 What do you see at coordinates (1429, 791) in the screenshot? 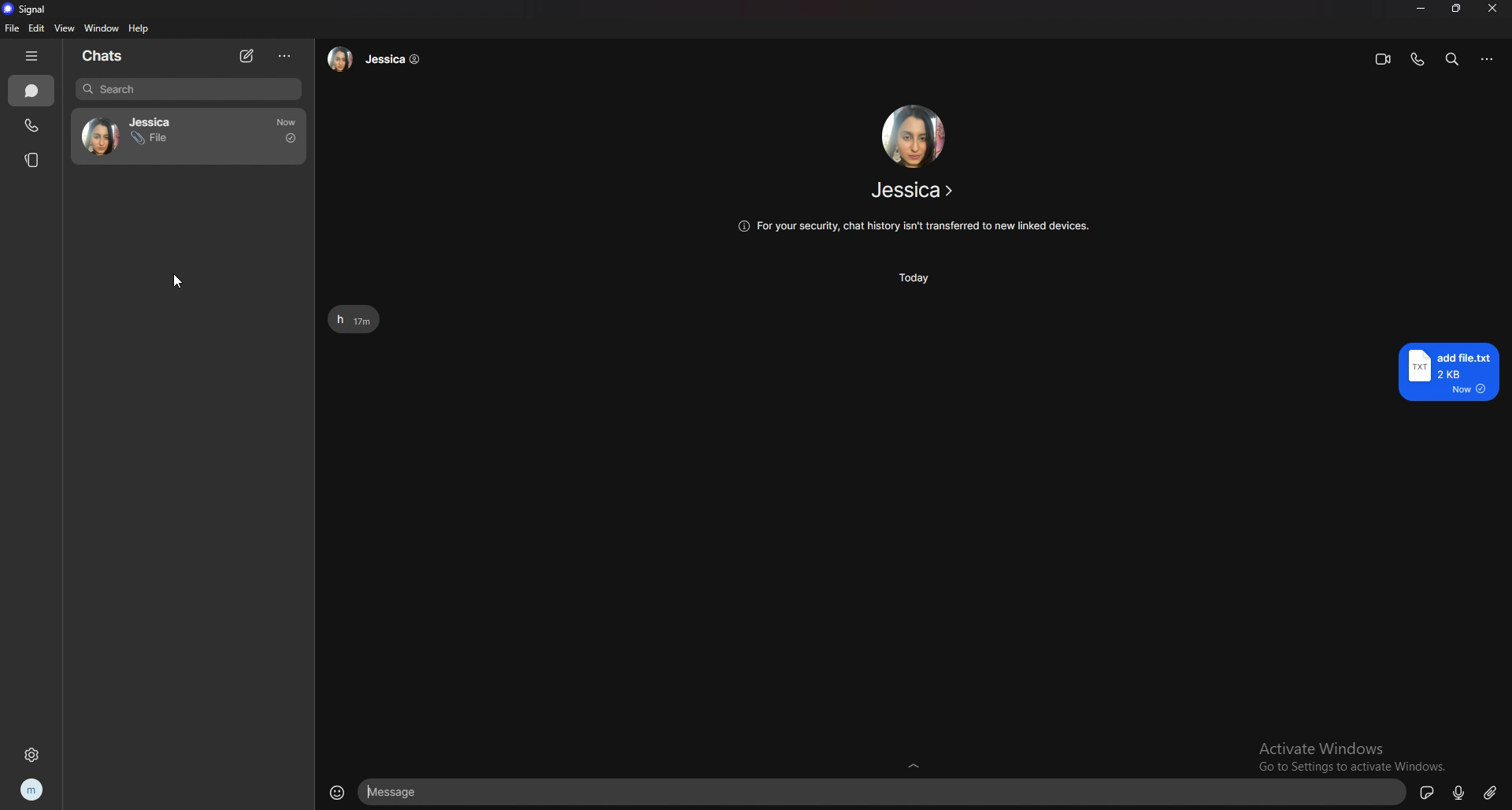
I see `sticker` at bounding box center [1429, 791].